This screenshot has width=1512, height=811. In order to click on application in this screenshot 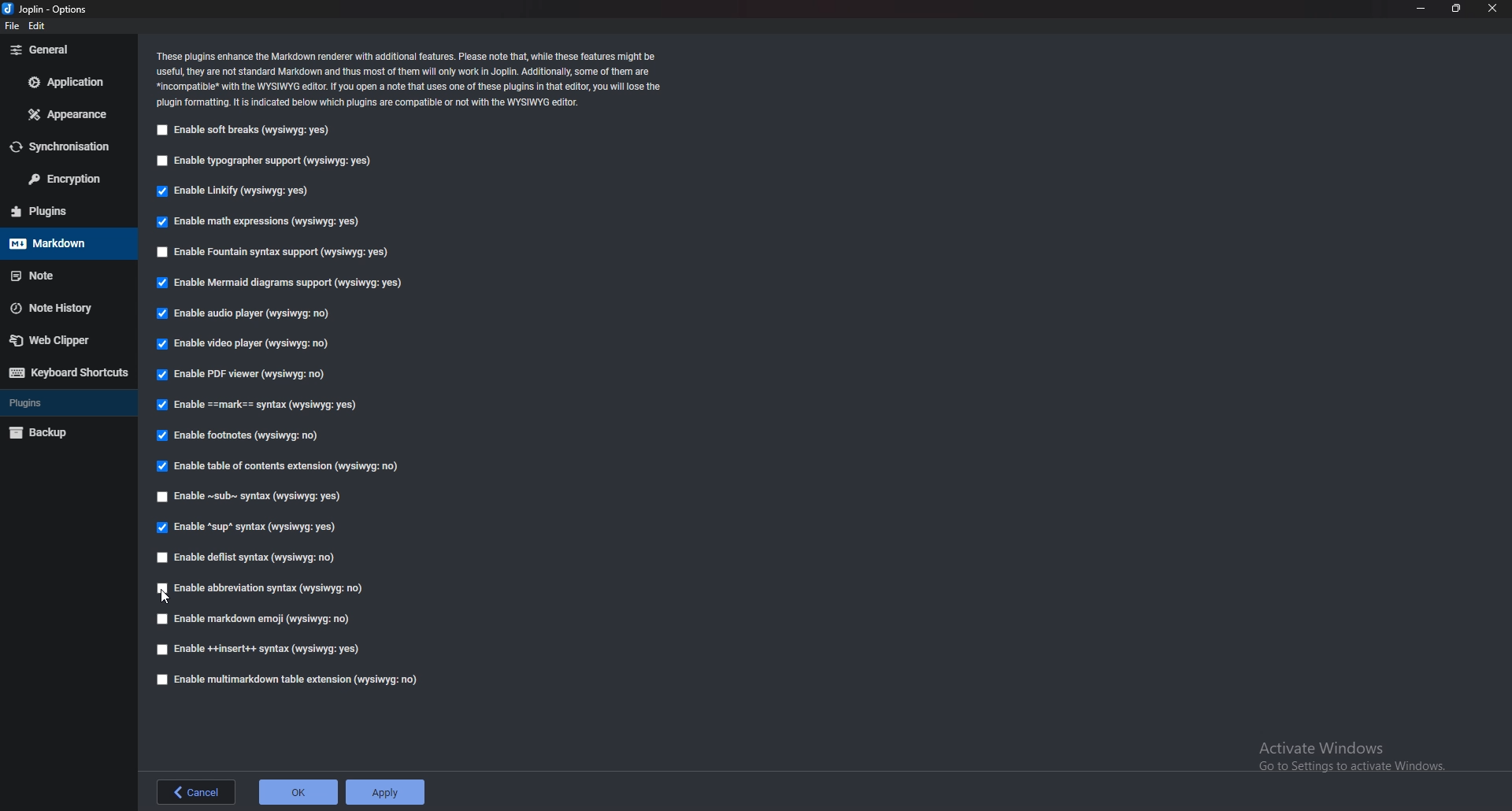, I will do `click(65, 80)`.